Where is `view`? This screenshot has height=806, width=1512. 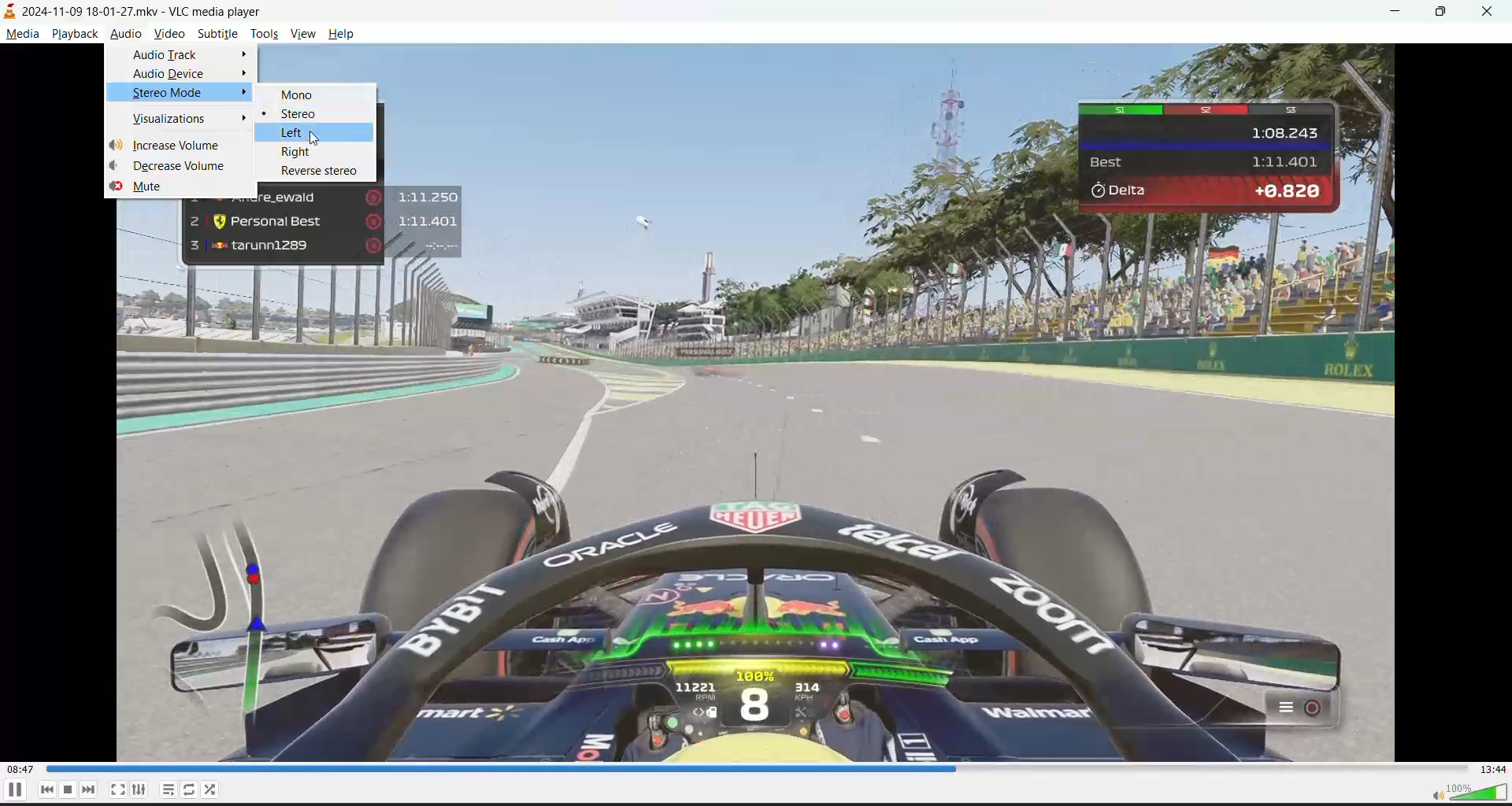 view is located at coordinates (302, 33).